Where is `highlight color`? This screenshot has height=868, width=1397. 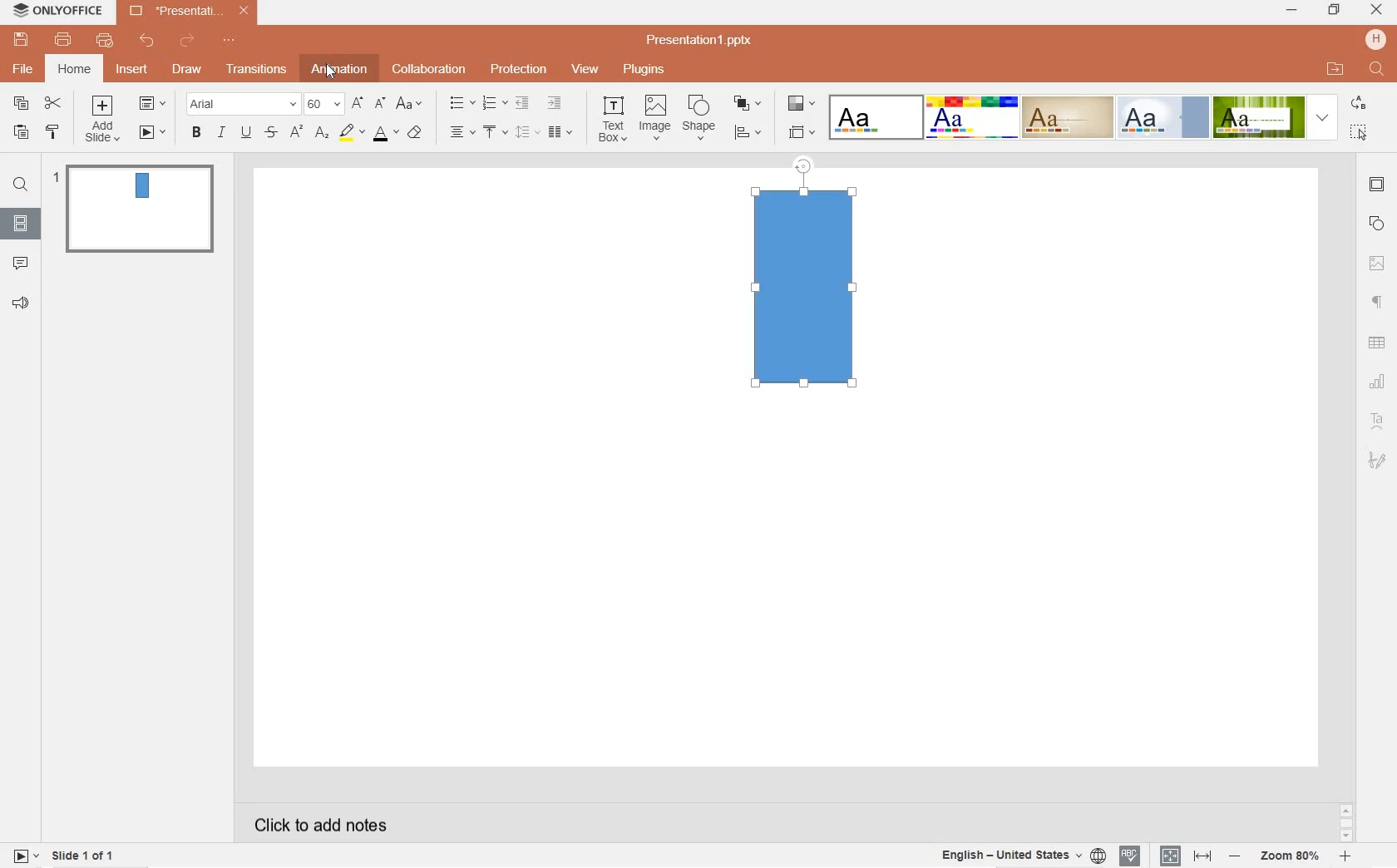 highlight color is located at coordinates (352, 133).